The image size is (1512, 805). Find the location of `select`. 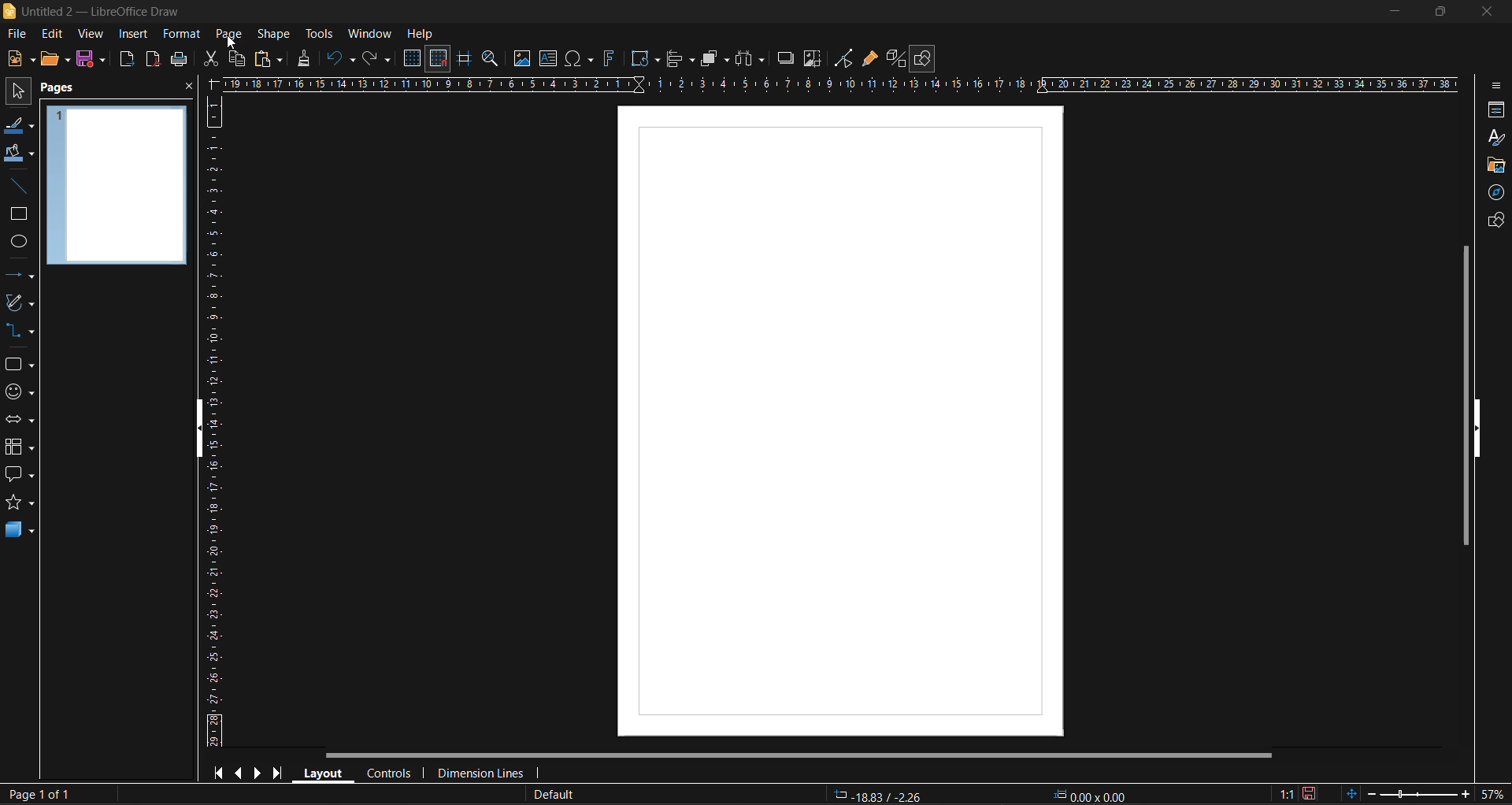

select is located at coordinates (20, 94).